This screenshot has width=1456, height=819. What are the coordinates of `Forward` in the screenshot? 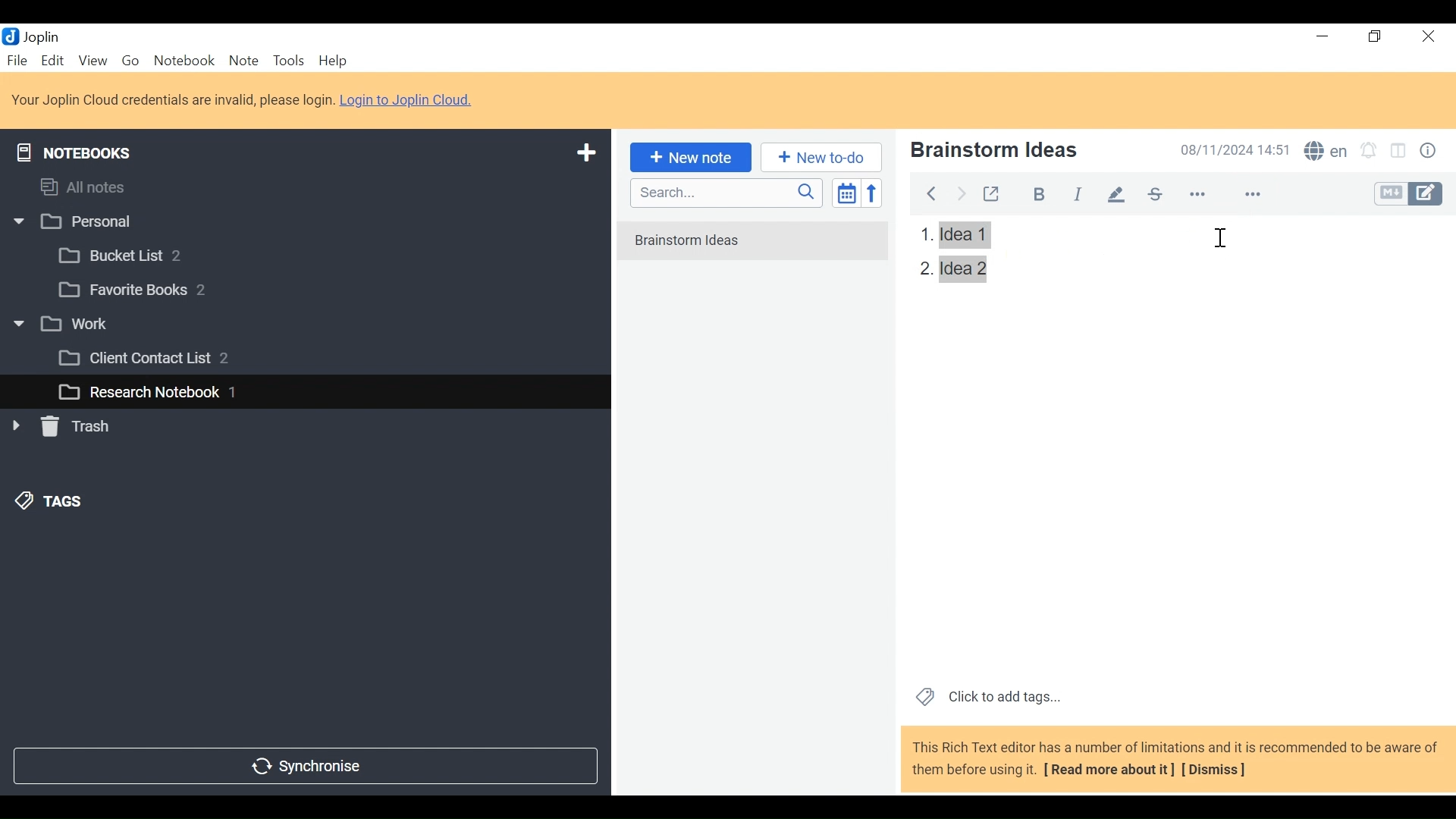 It's located at (962, 192).